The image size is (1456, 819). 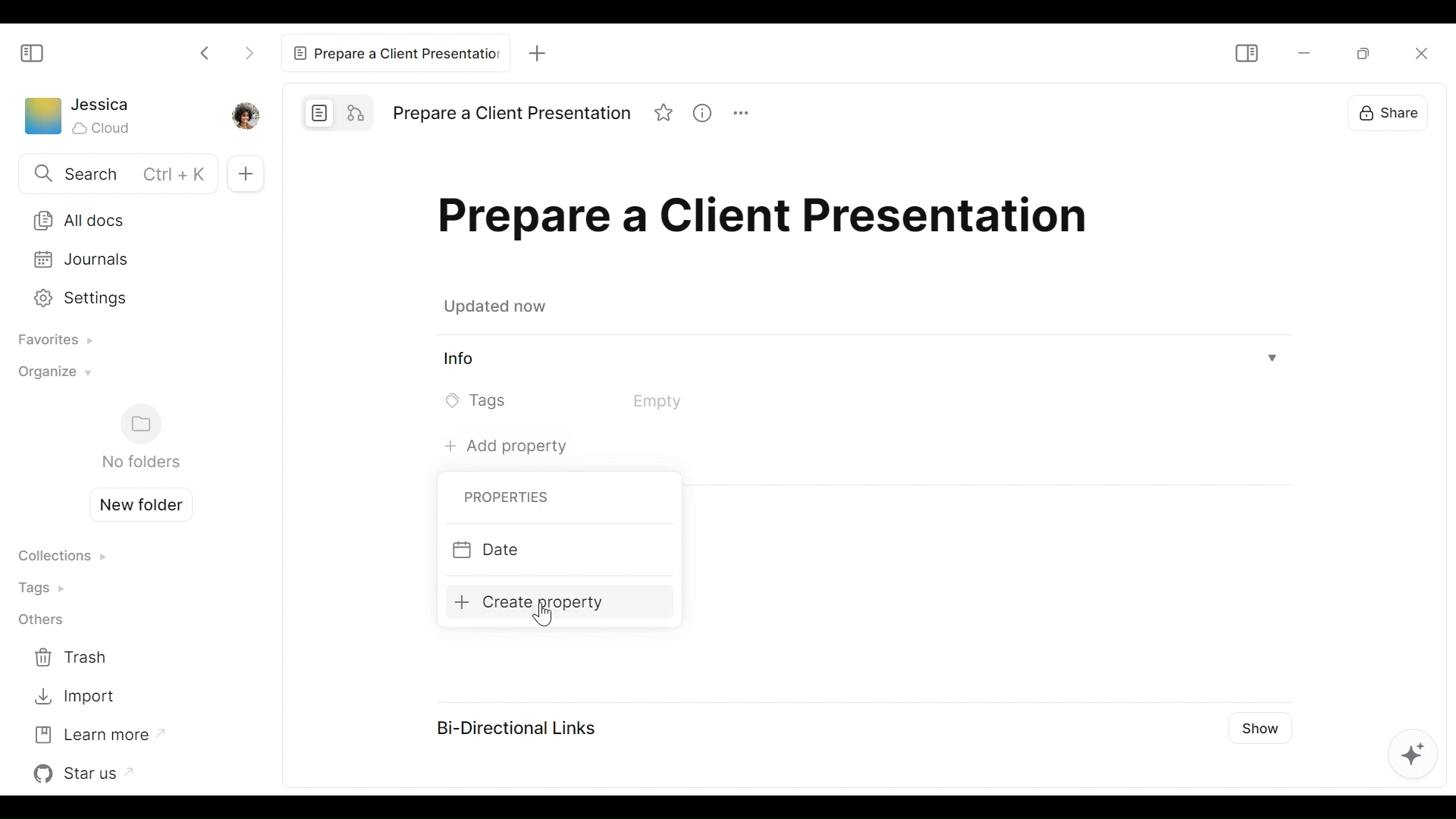 I want to click on Show/Hide Sidebar, so click(x=1245, y=53).